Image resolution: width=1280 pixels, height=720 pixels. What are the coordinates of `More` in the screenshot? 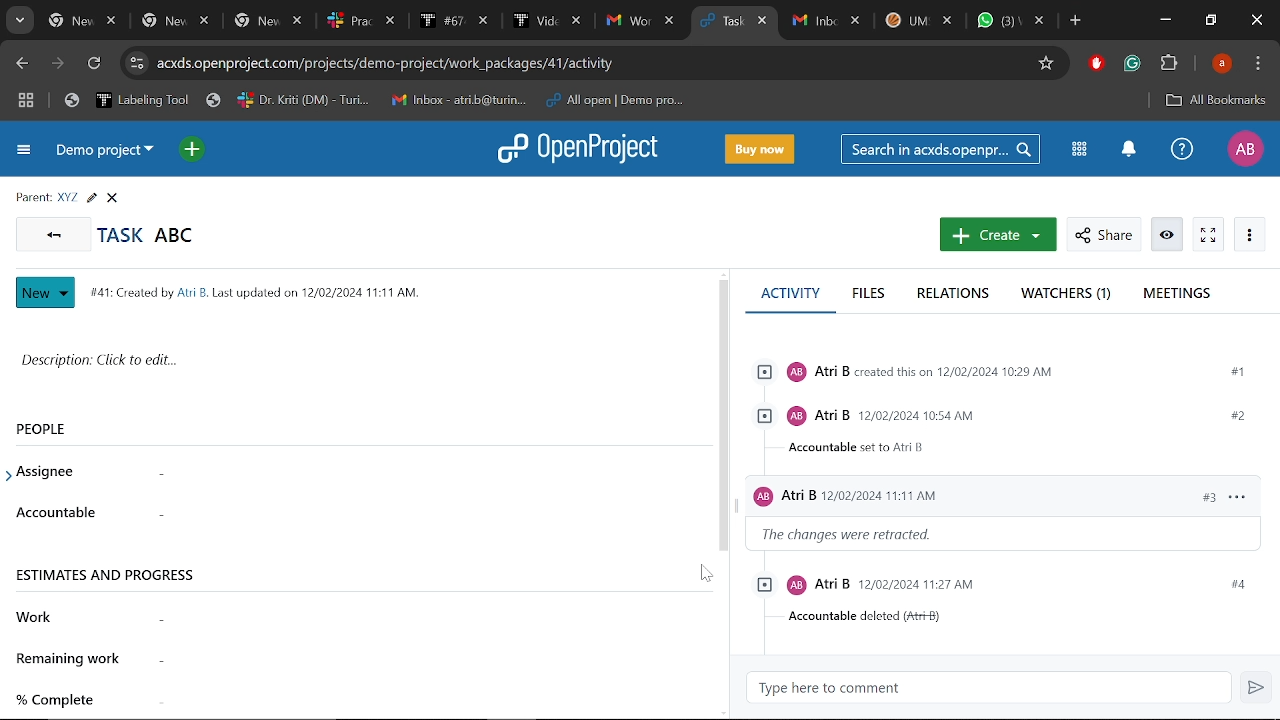 It's located at (1250, 236).